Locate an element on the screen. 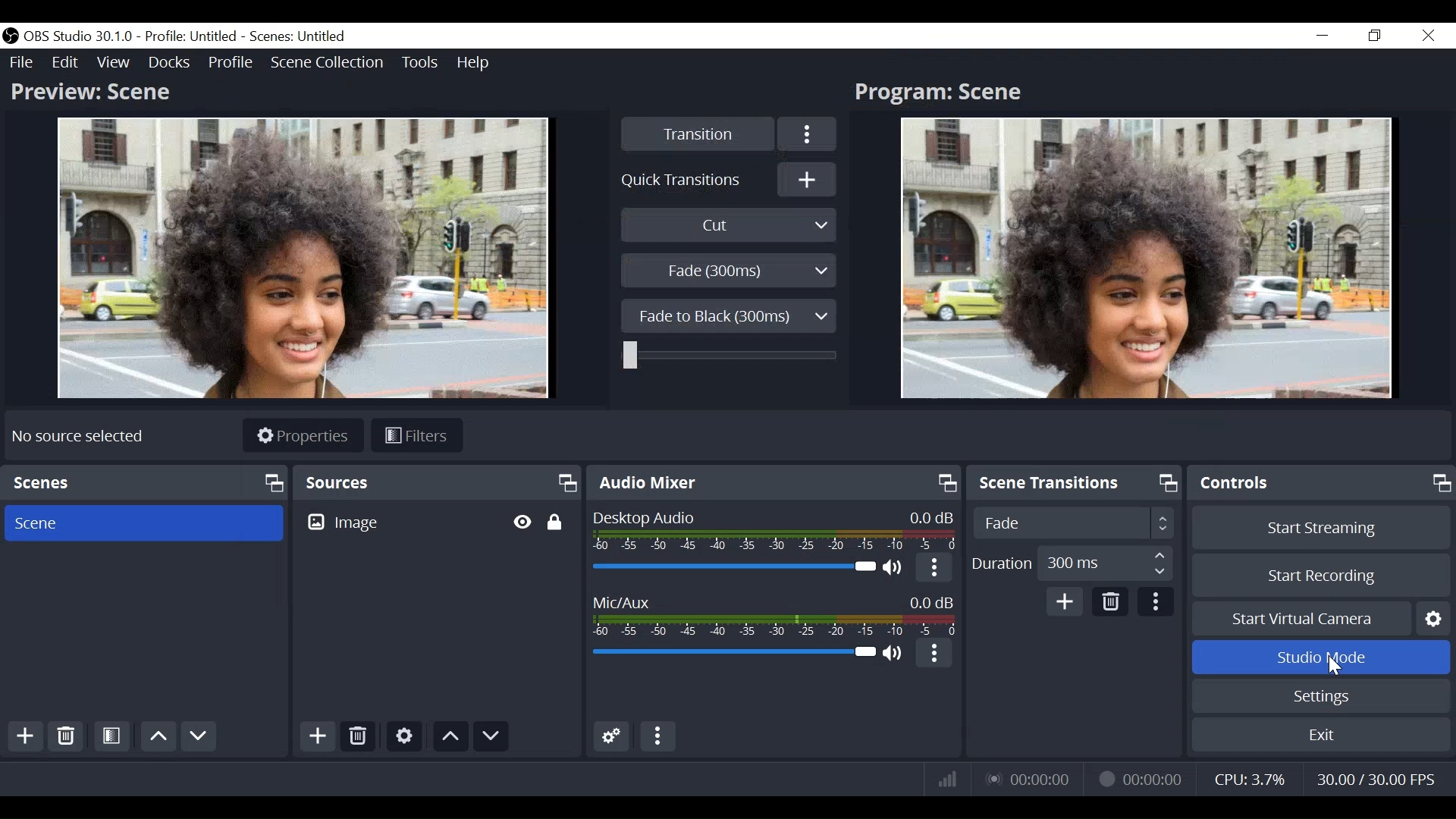  More option is located at coordinates (937, 570).